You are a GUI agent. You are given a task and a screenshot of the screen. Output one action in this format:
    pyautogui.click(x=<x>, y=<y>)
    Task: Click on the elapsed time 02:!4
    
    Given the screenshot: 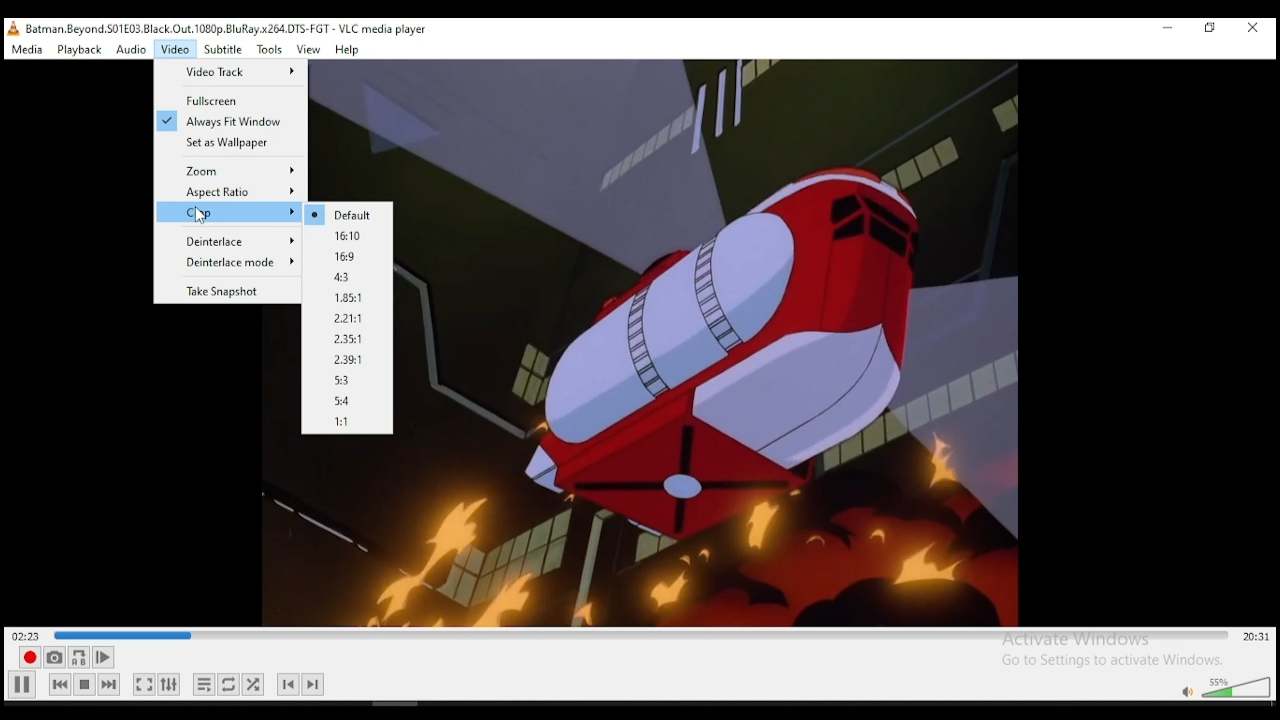 What is the action you would take?
    pyautogui.click(x=29, y=635)
    